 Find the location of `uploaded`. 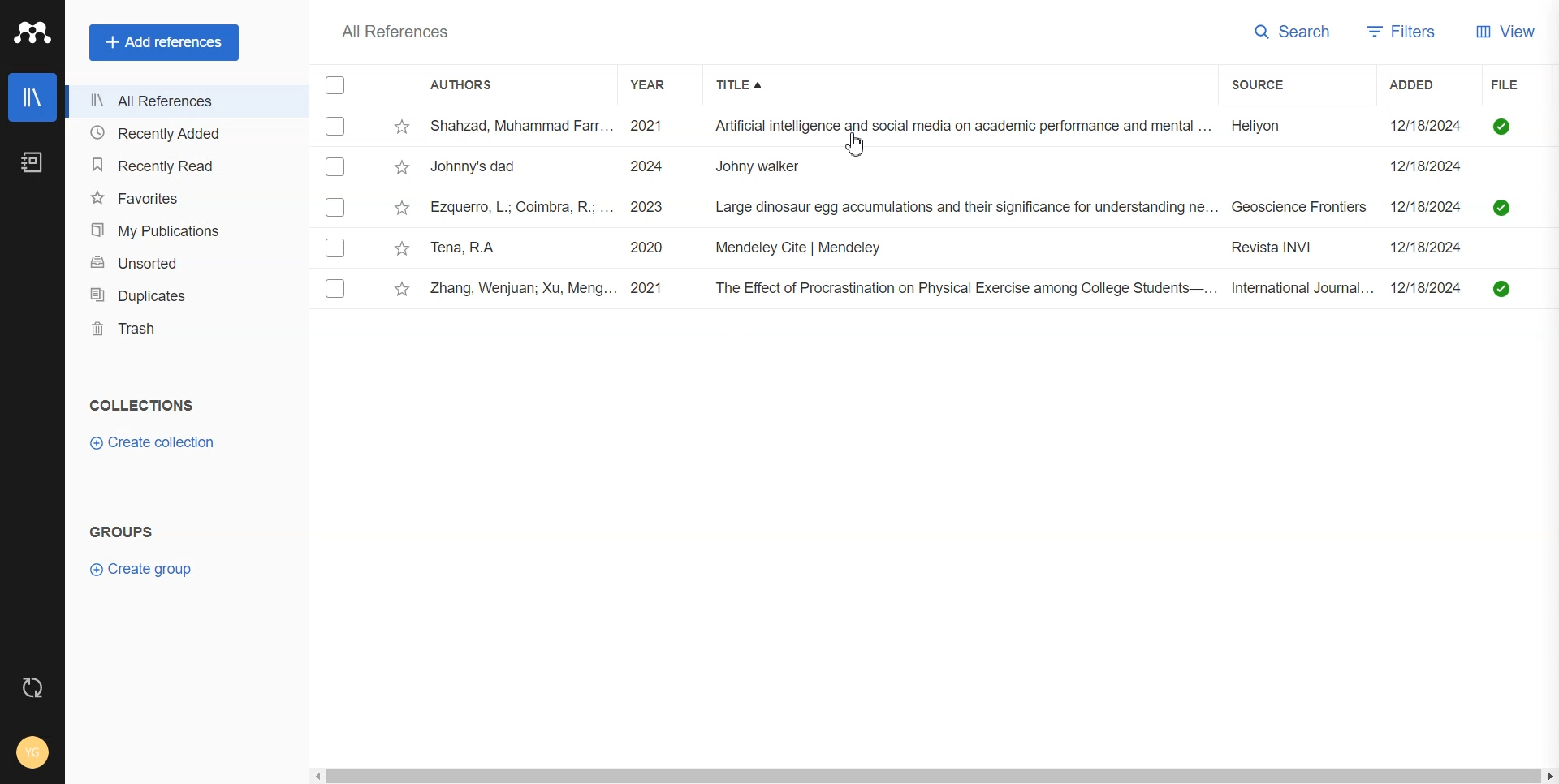

uploaded is located at coordinates (1503, 287).